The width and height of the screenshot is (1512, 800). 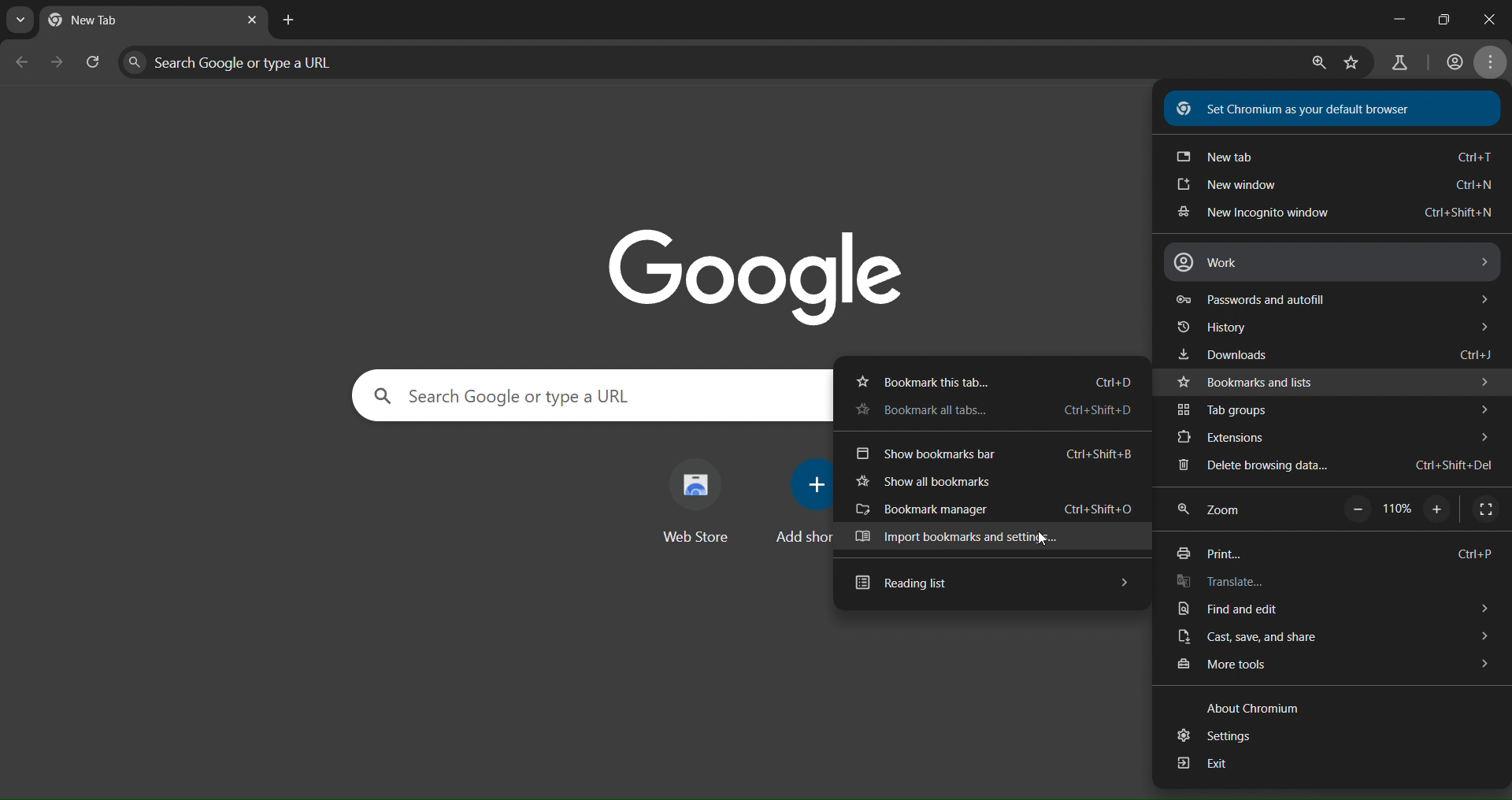 What do you see at coordinates (1353, 61) in the screenshot?
I see `bookmark page` at bounding box center [1353, 61].